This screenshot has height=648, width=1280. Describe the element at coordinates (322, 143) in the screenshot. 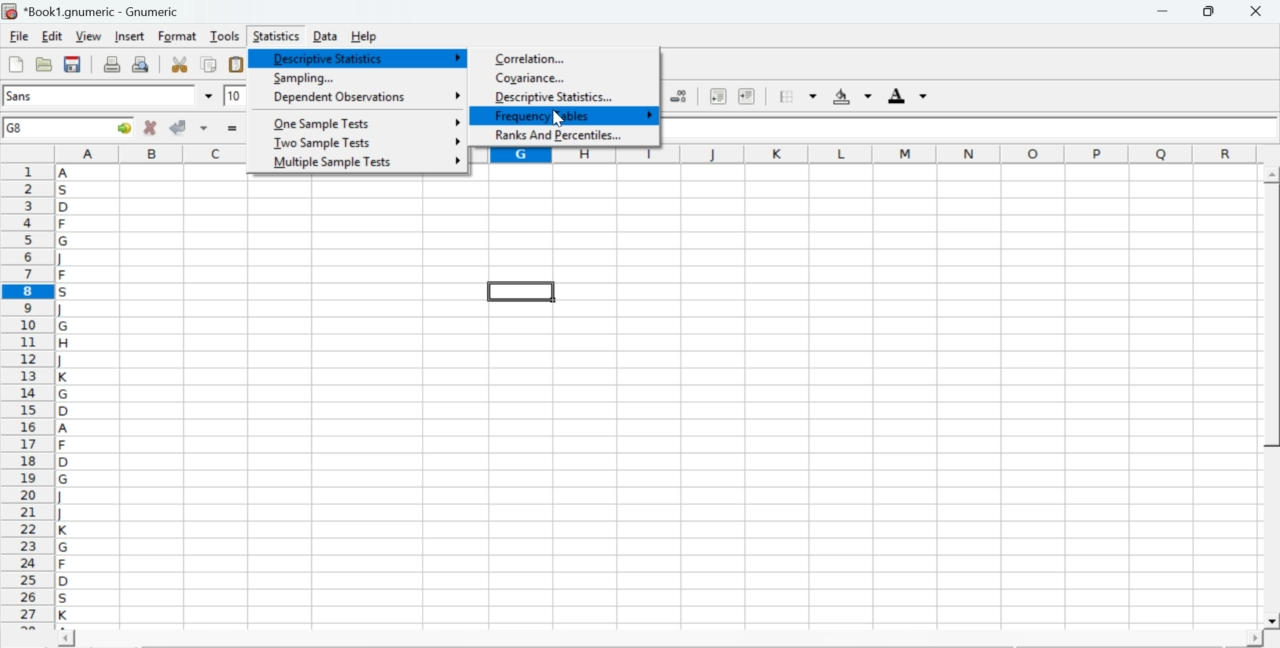

I see `two sample tests` at that location.